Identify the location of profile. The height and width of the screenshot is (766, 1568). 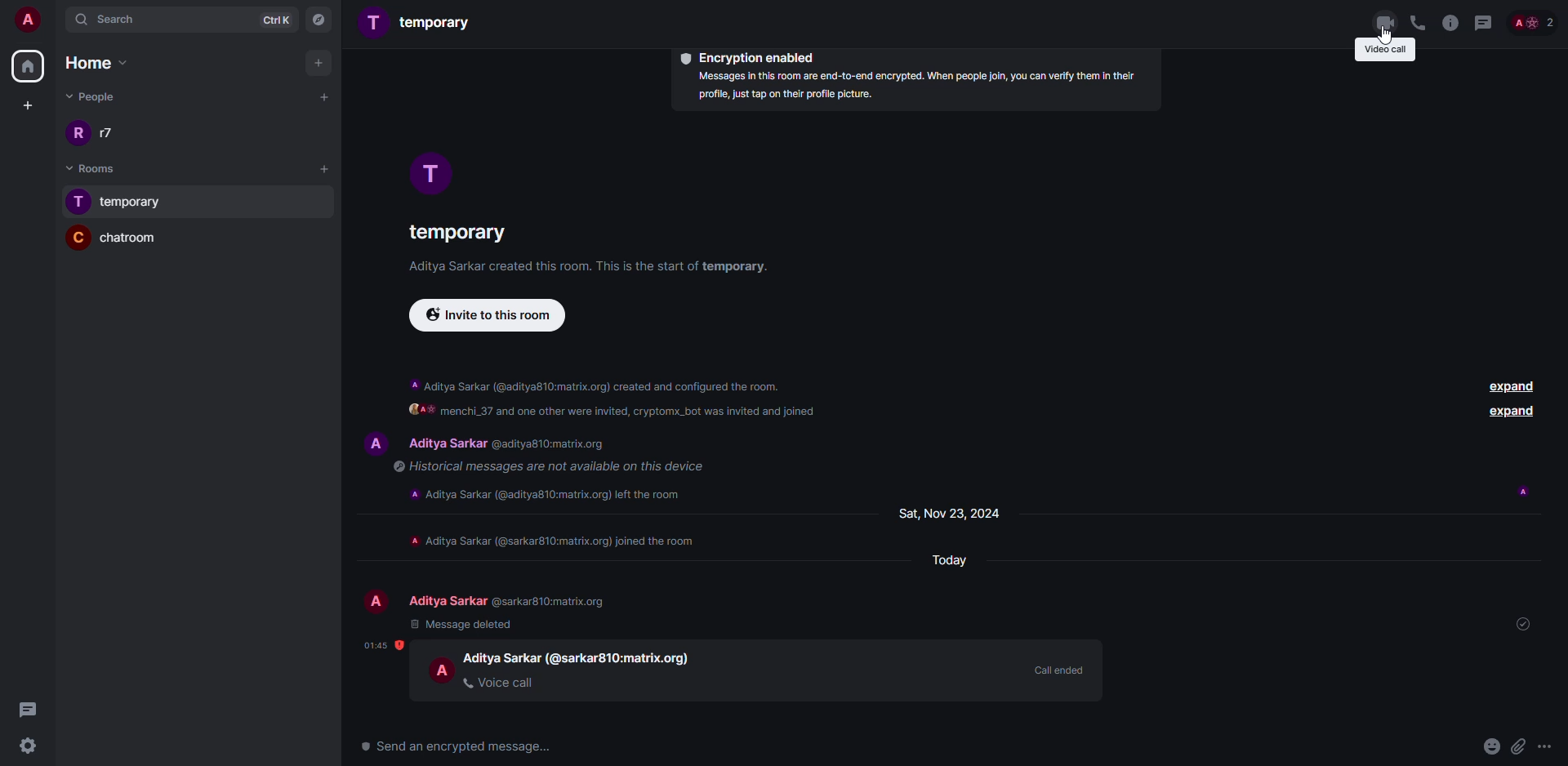
(371, 443).